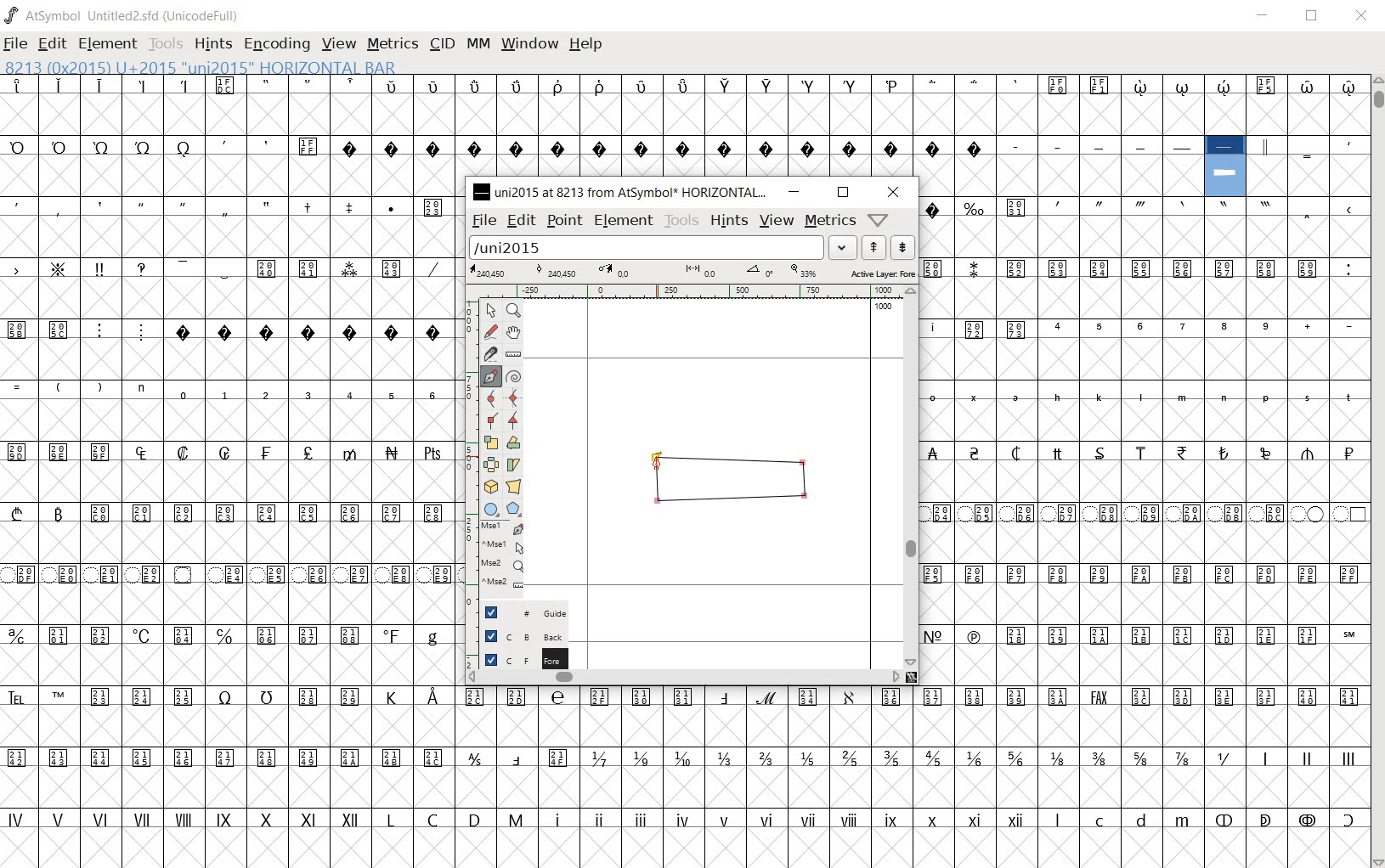 The image size is (1385, 868). What do you see at coordinates (514, 354) in the screenshot?
I see `measure a distance, angle between points` at bounding box center [514, 354].